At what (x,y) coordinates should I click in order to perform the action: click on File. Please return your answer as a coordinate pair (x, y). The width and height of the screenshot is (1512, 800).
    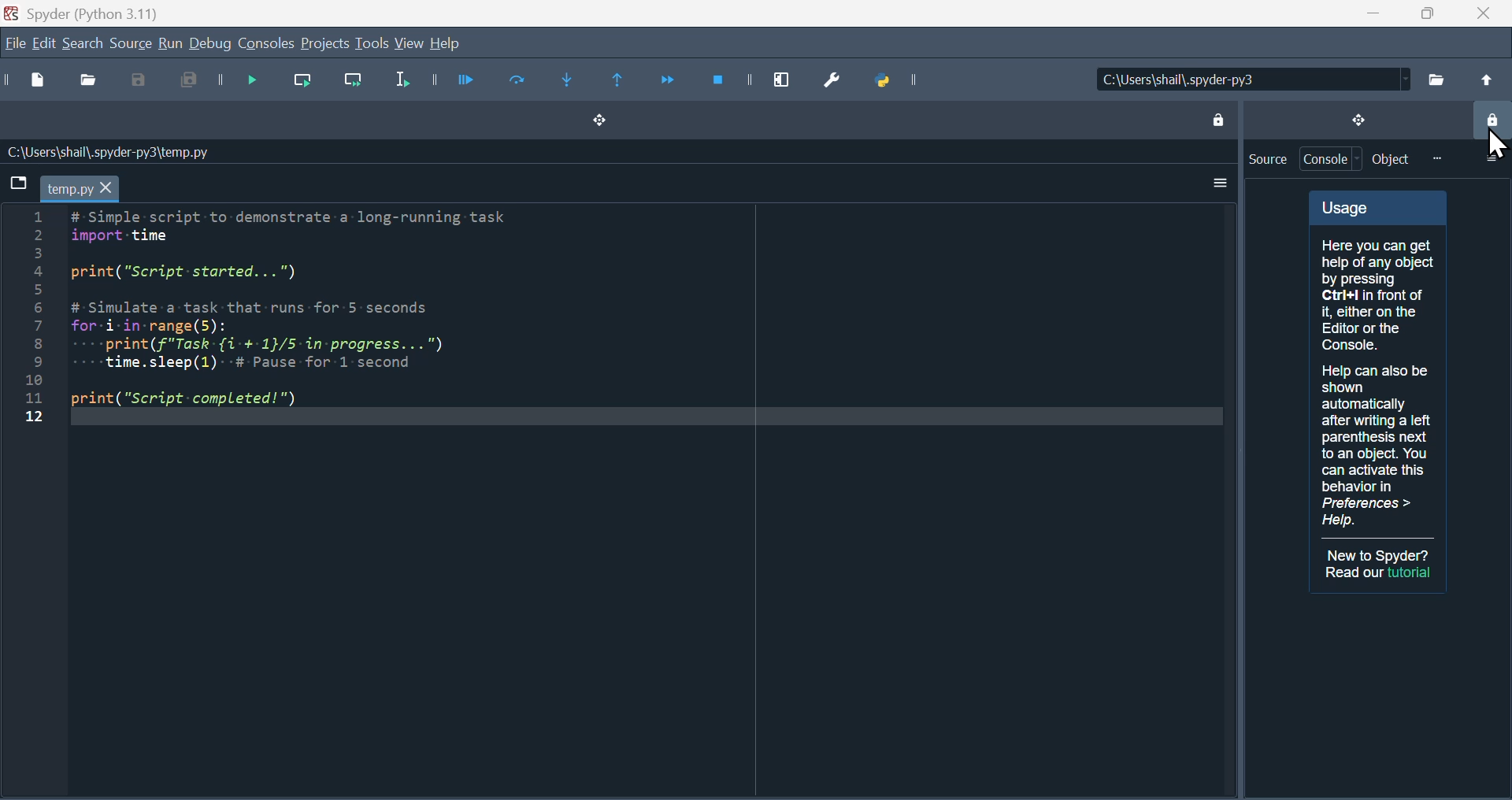
    Looking at the image, I should click on (13, 45).